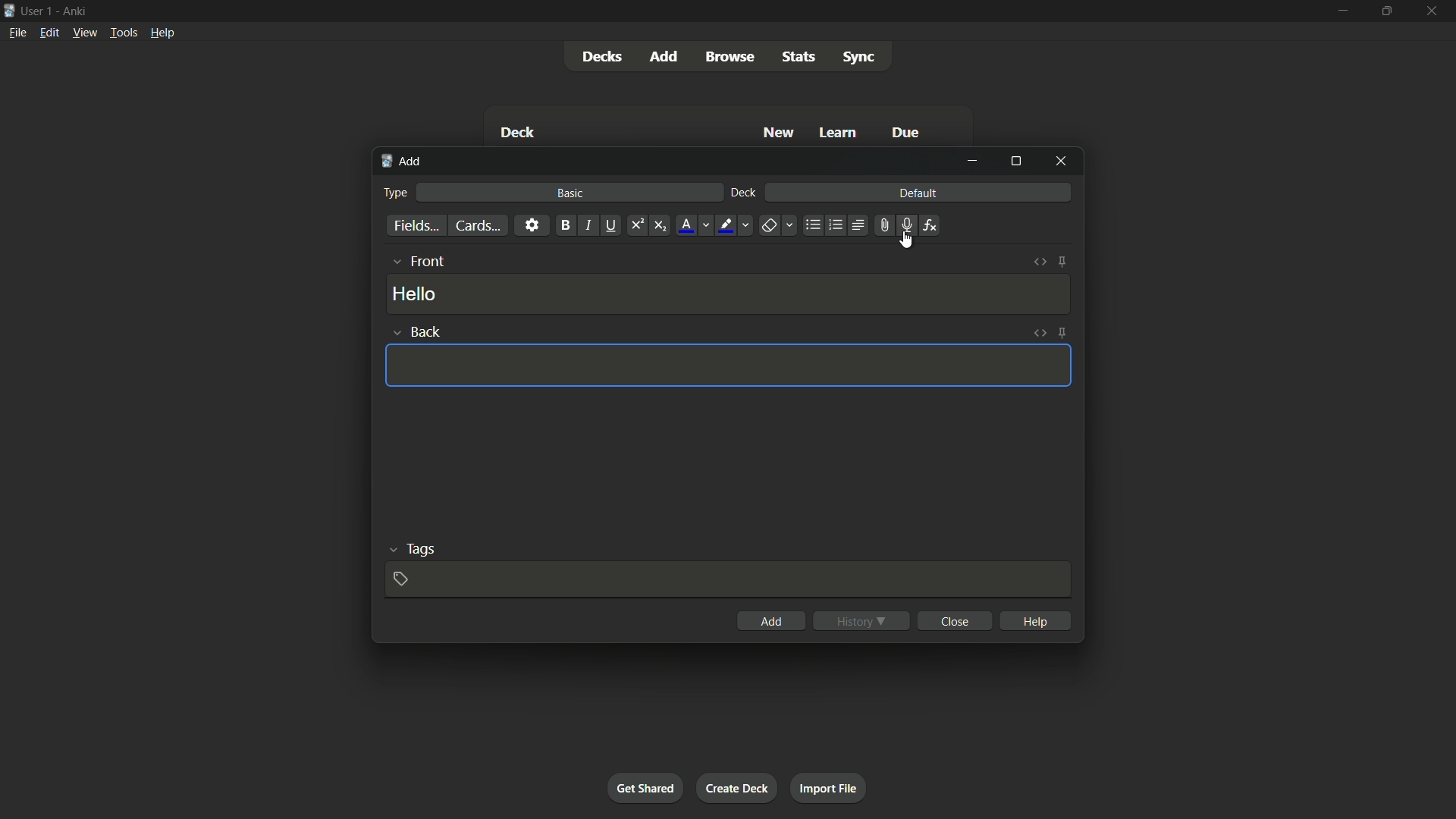 This screenshot has width=1456, height=819. What do you see at coordinates (412, 548) in the screenshot?
I see `tags` at bounding box center [412, 548].